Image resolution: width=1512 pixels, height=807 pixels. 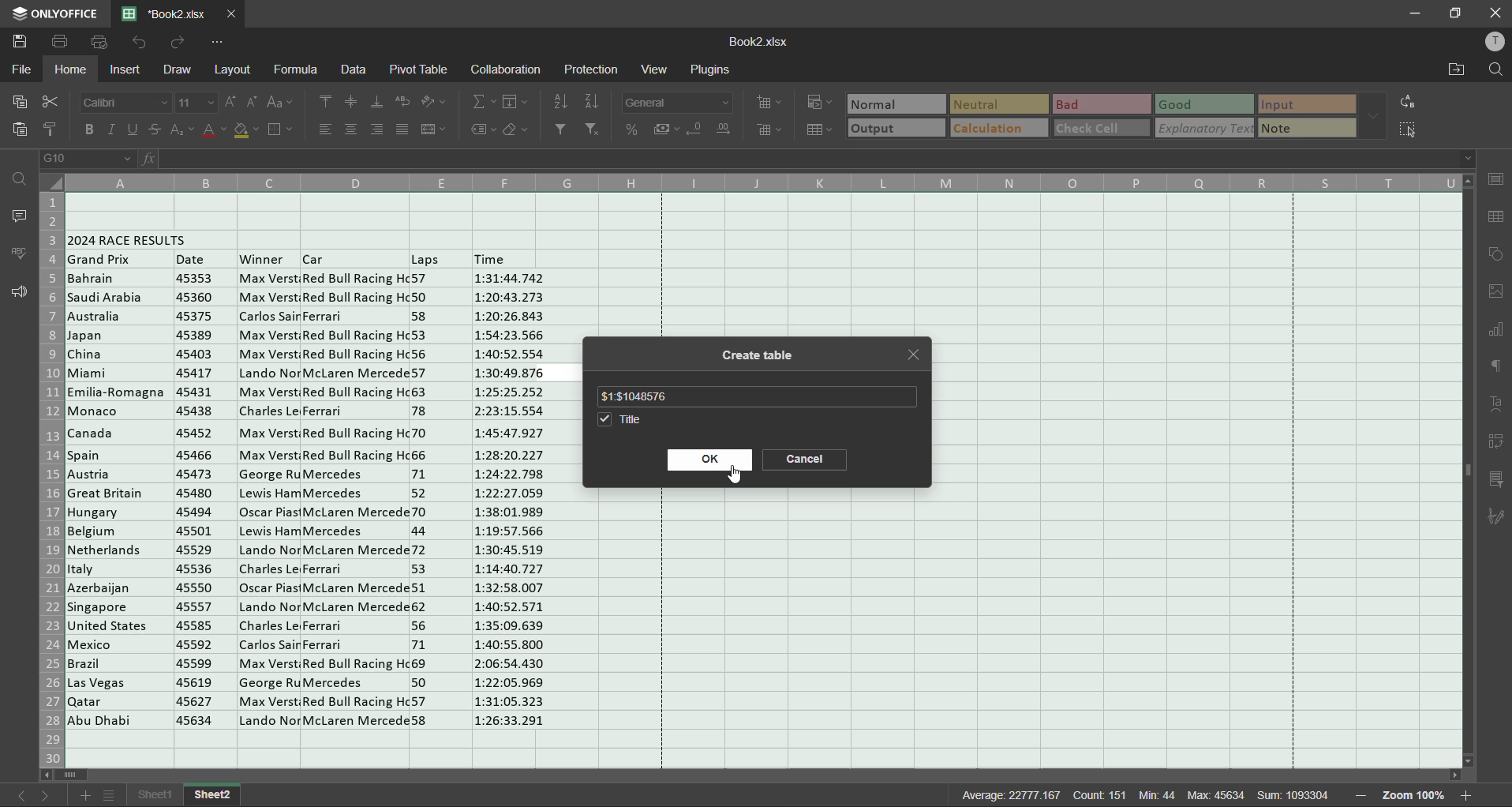 I want to click on pivot table, so click(x=417, y=69).